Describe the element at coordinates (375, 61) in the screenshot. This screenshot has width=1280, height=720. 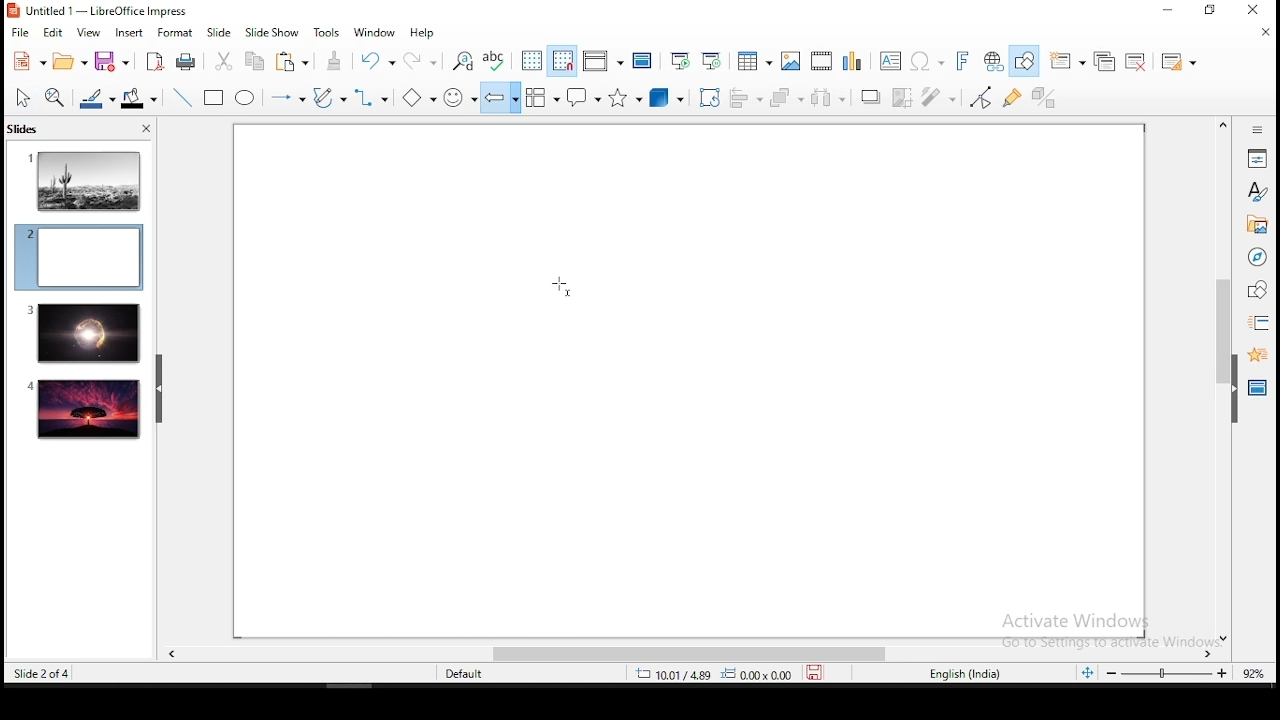
I see `undo` at that location.